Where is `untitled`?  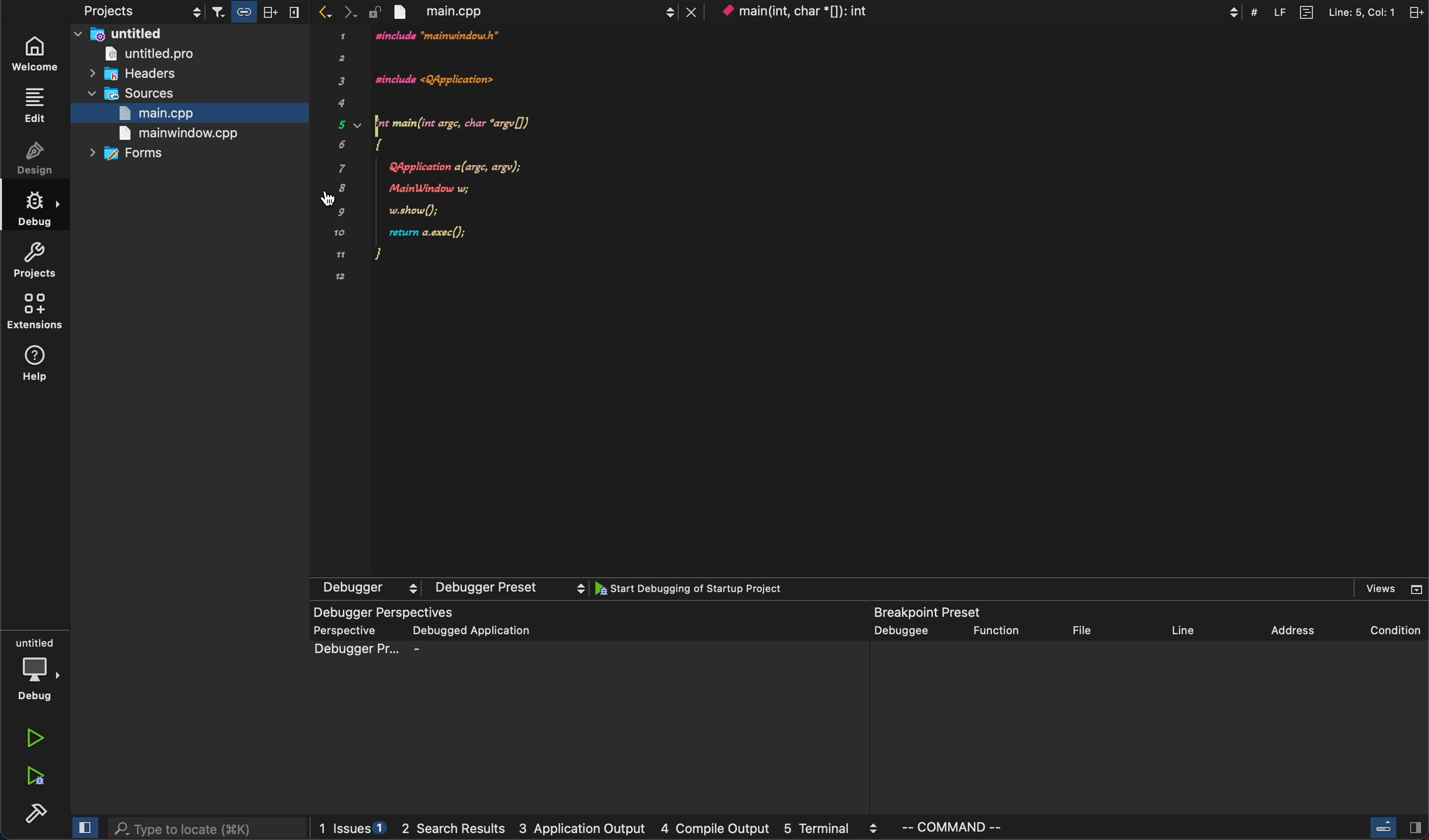
untitled is located at coordinates (187, 33).